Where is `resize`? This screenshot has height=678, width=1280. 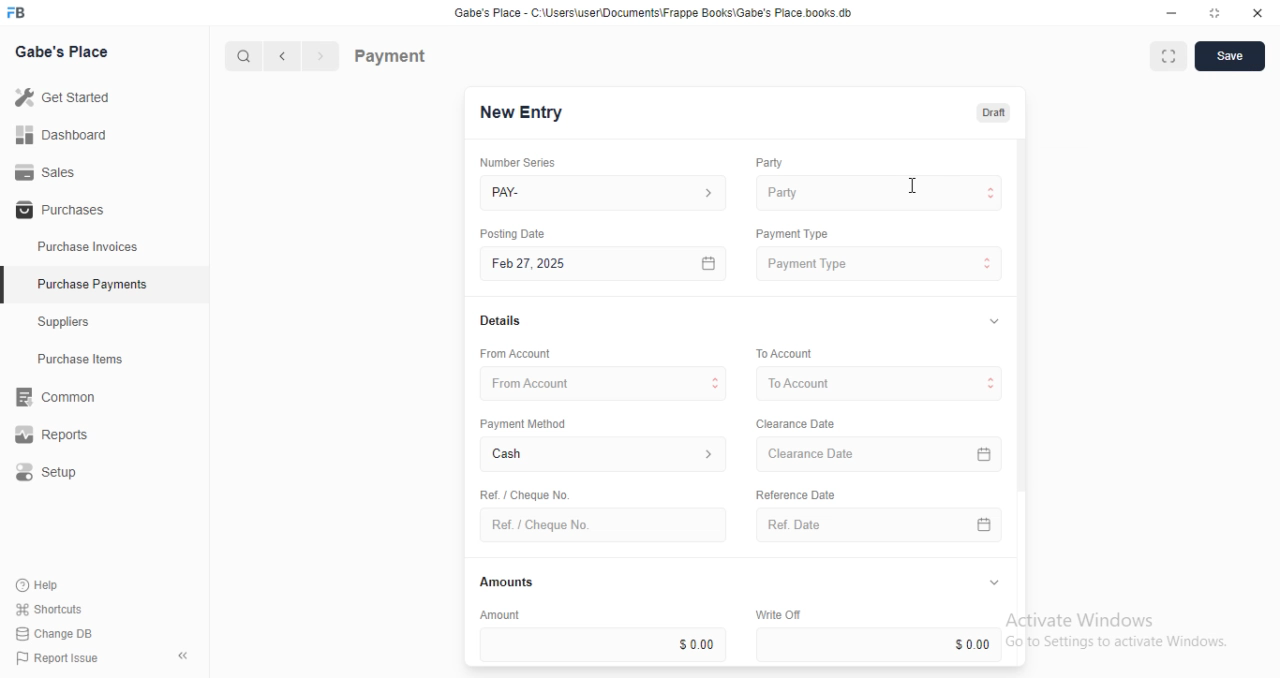
resize is located at coordinates (1213, 13).